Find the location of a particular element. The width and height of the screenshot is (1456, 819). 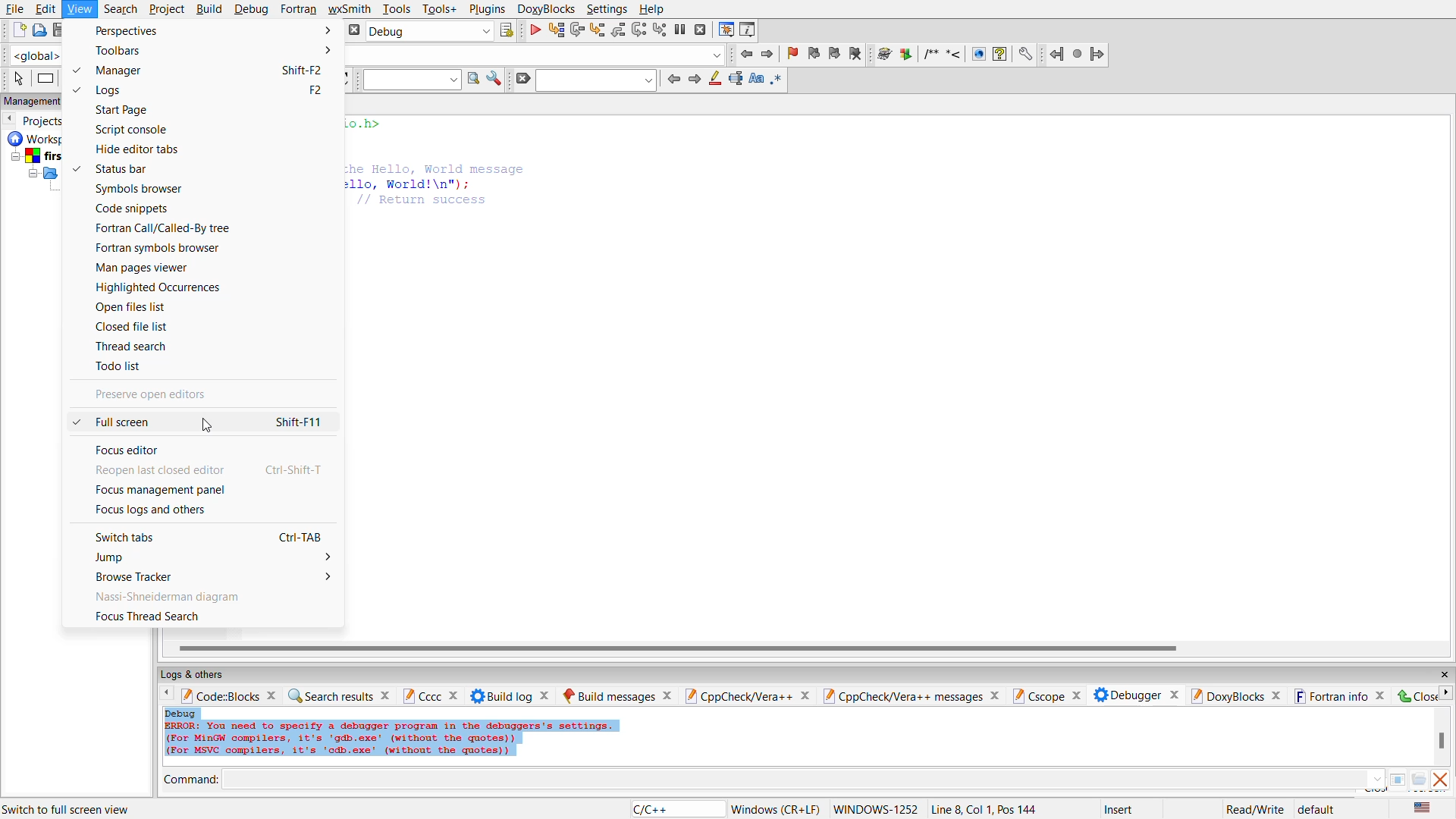

next bookmark is located at coordinates (836, 55).